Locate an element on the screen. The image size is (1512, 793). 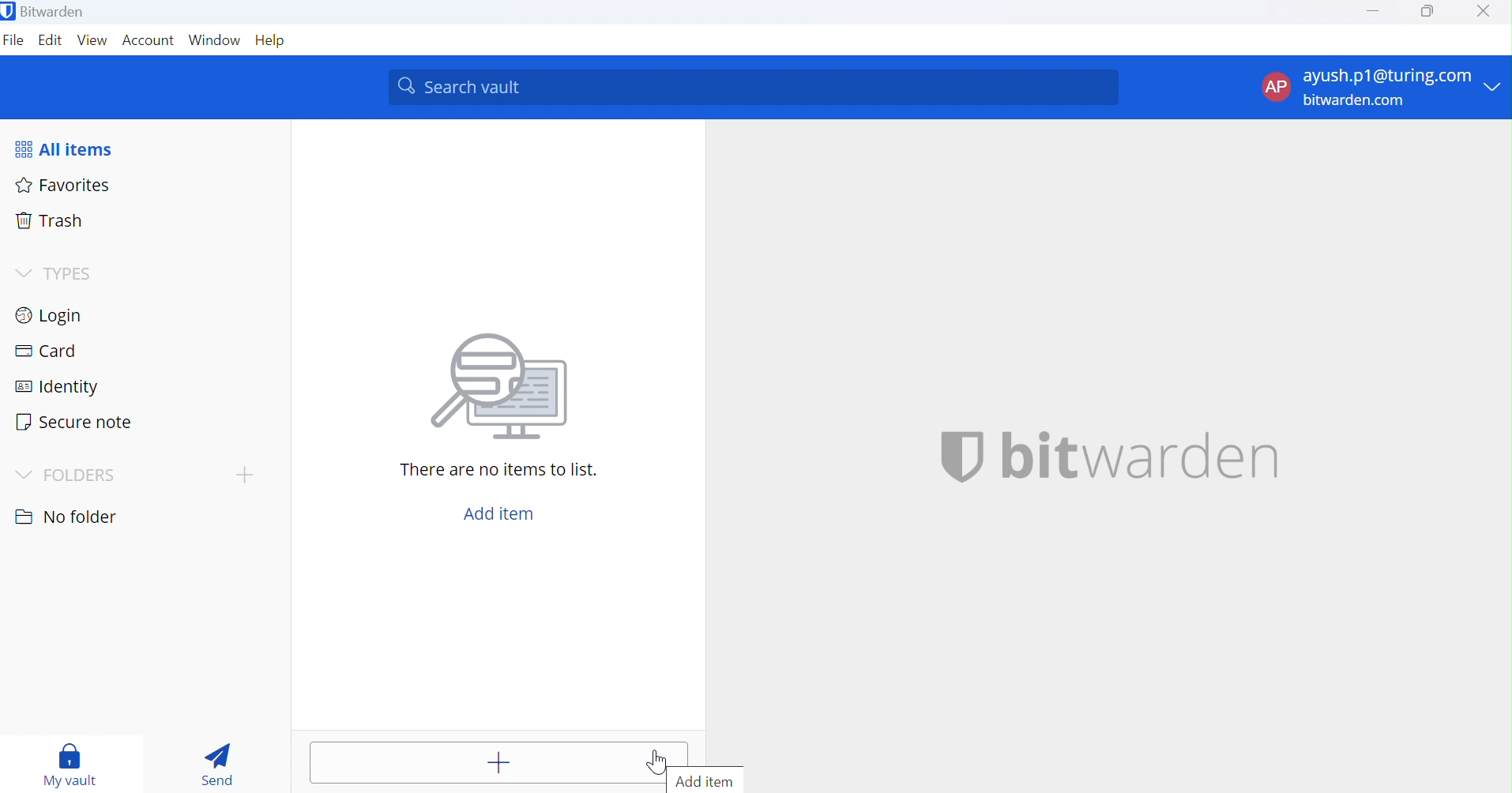
Add item is located at coordinates (497, 762).